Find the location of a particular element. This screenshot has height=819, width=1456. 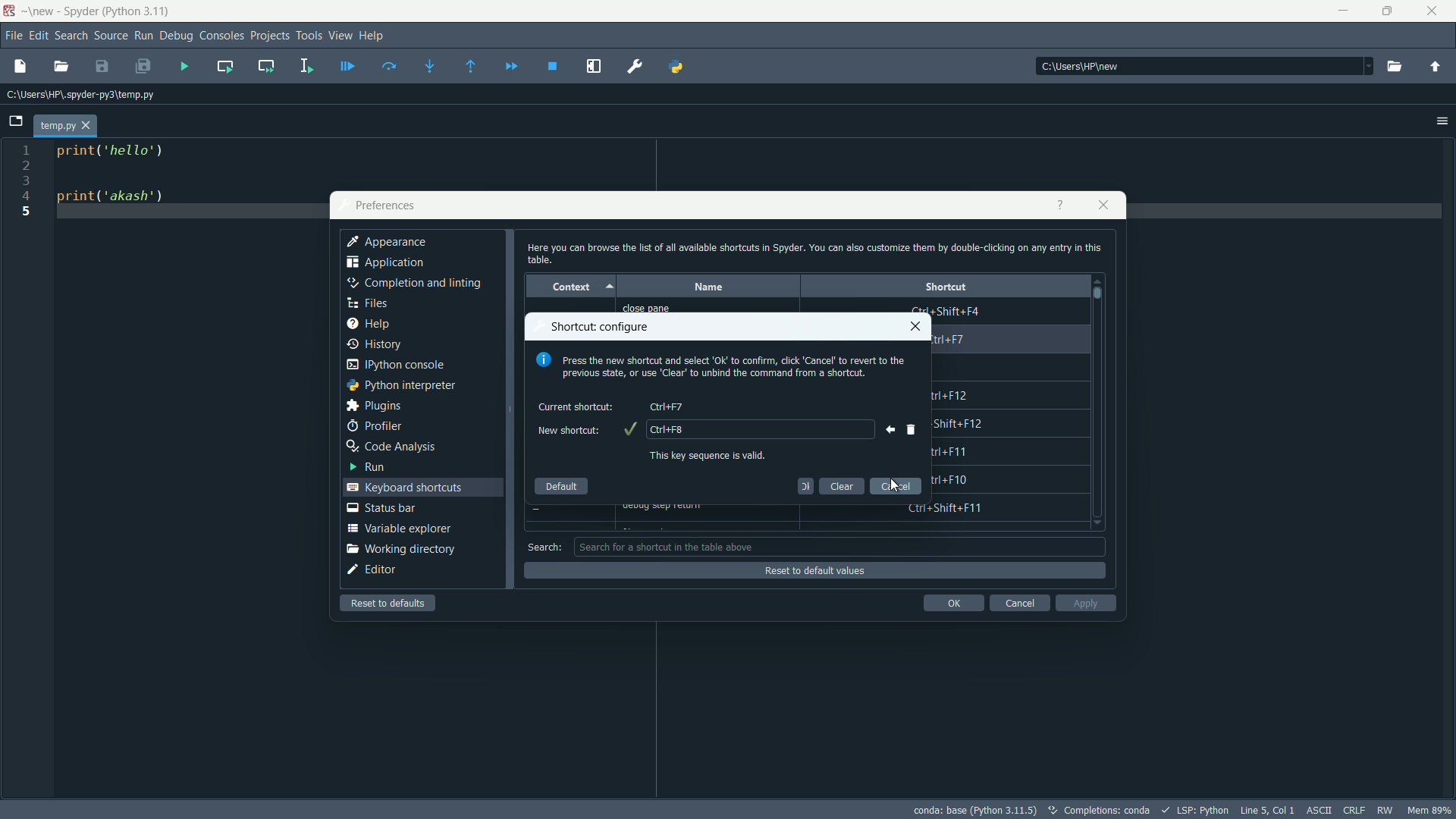

tools menu is located at coordinates (309, 36).